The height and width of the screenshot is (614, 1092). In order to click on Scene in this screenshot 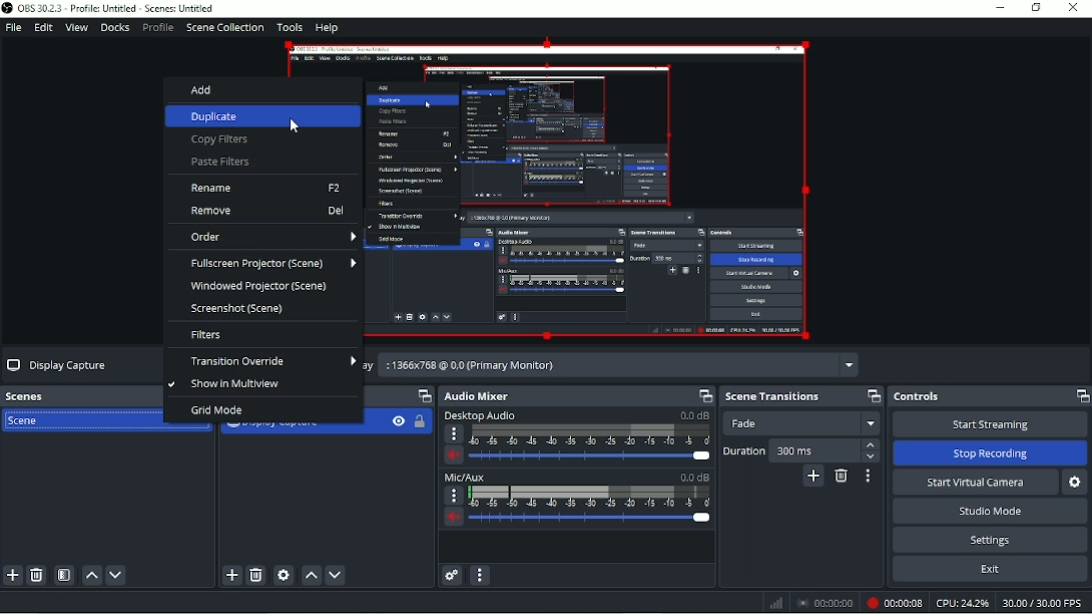, I will do `click(27, 420)`.